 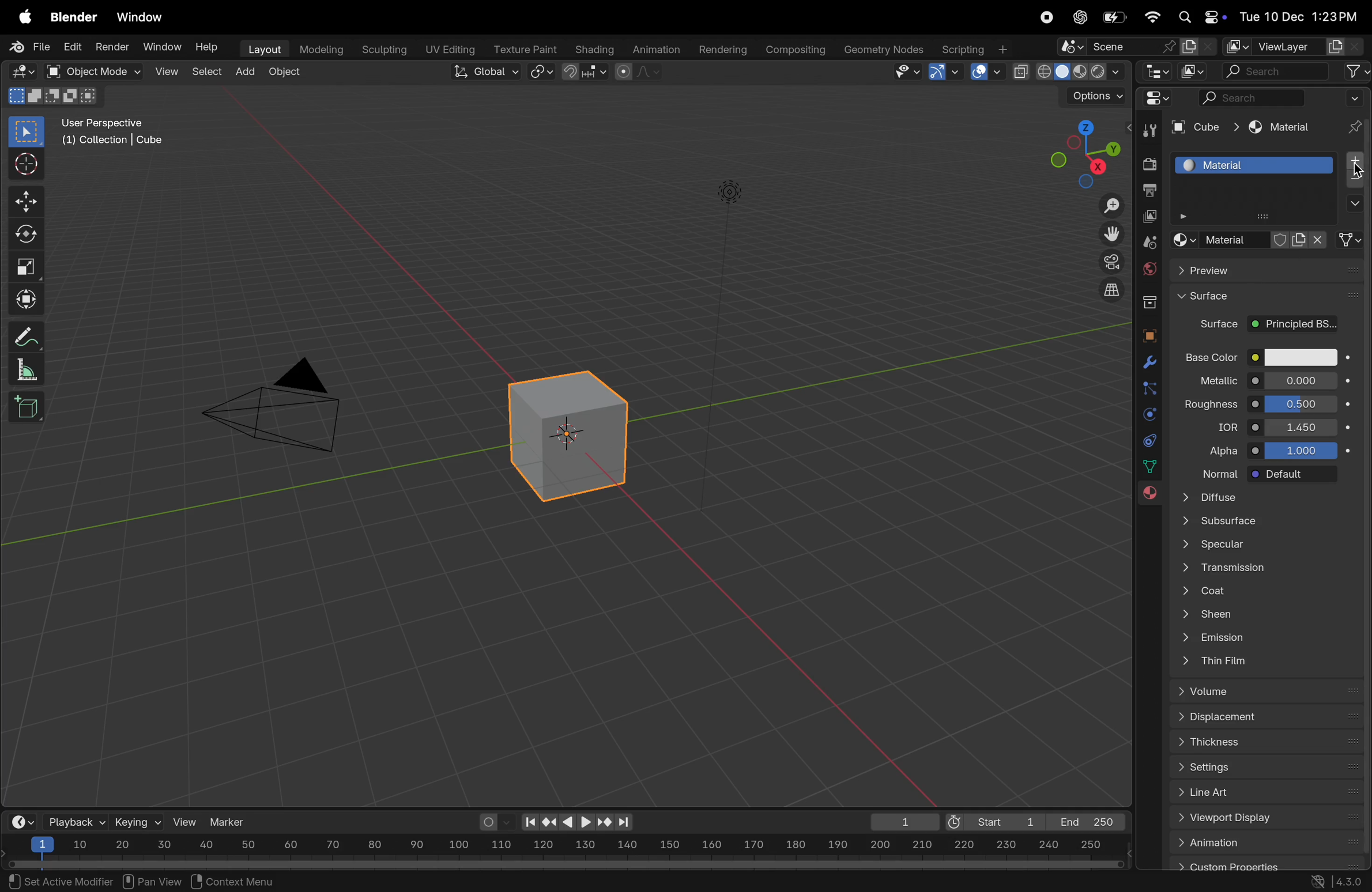 I want to click on show gimzo, so click(x=946, y=71).